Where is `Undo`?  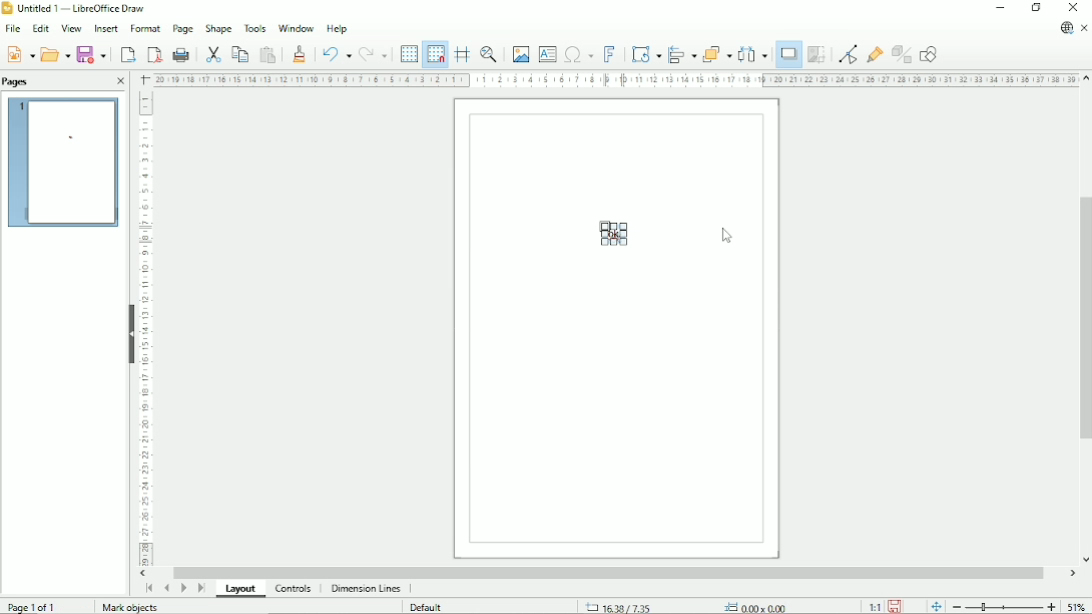
Undo is located at coordinates (334, 54).